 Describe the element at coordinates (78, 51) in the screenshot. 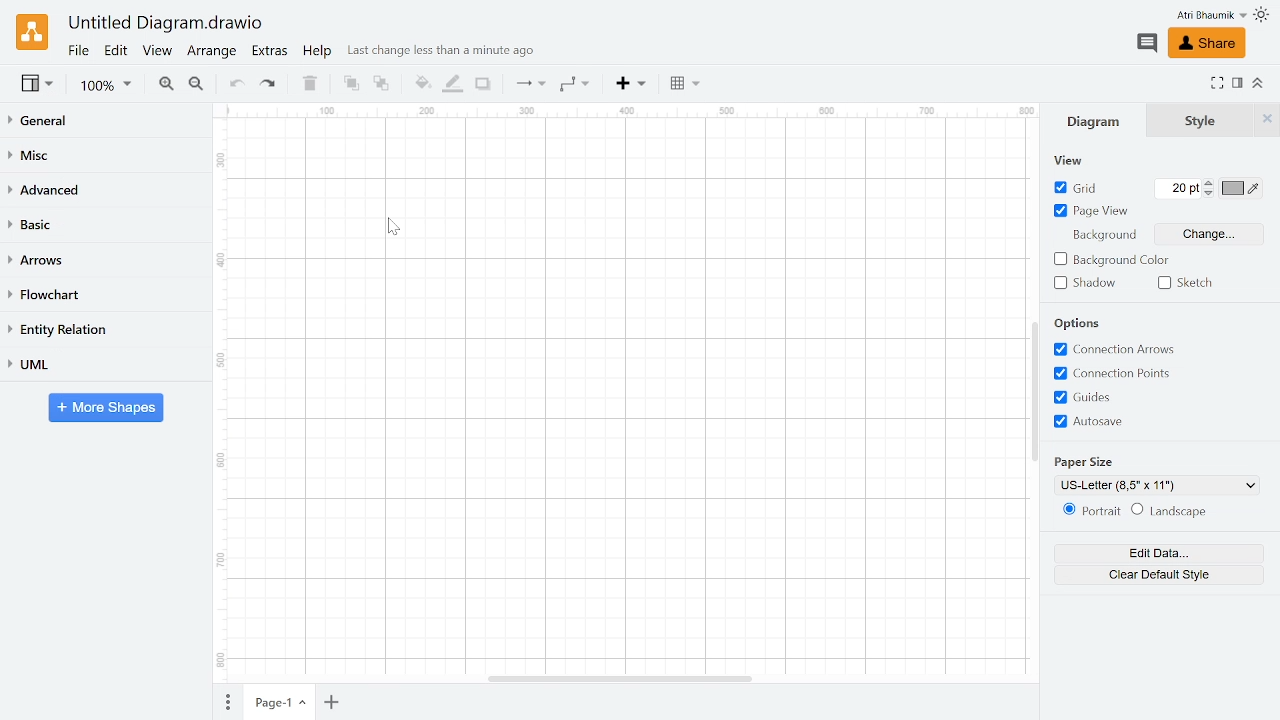

I see `File` at that location.